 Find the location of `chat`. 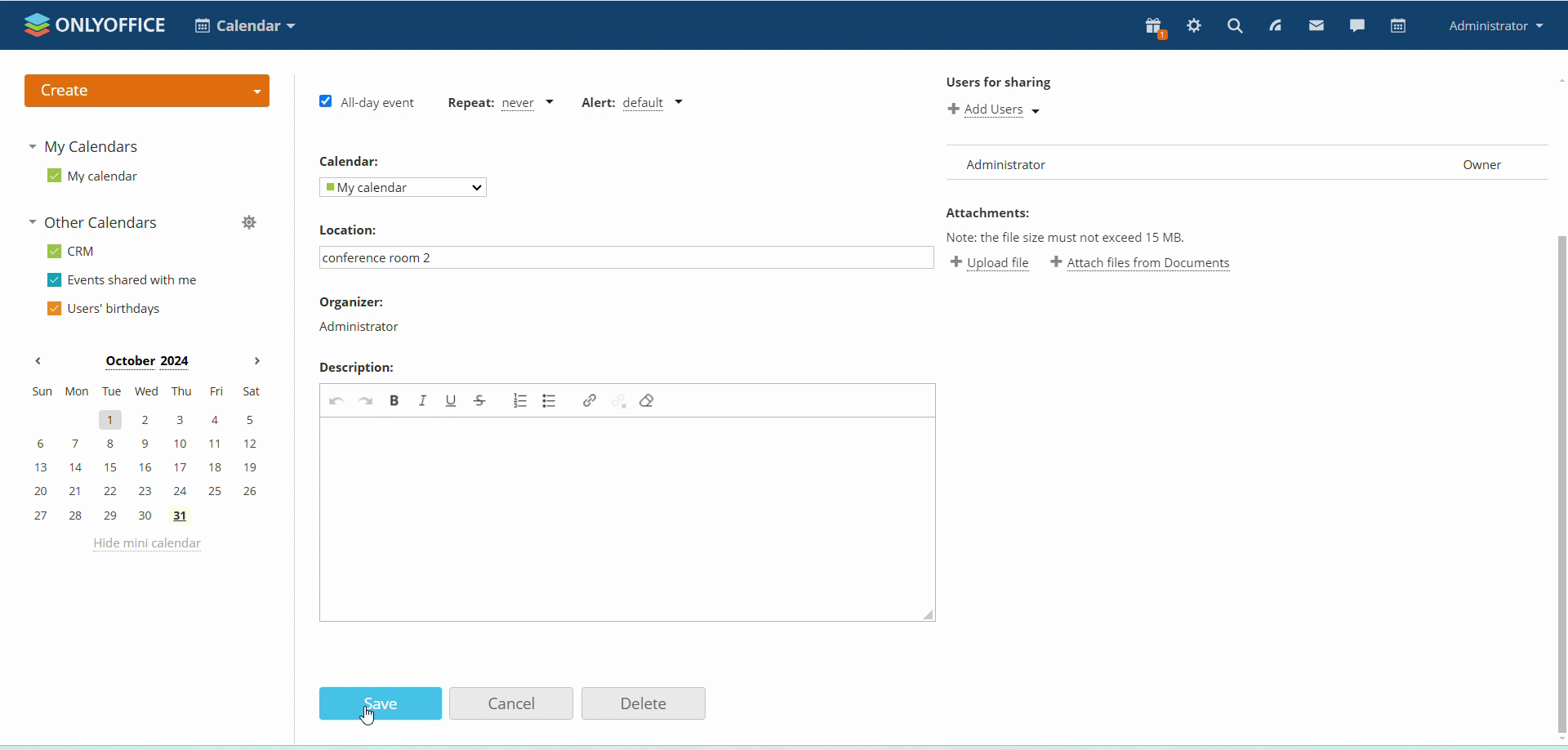

chat is located at coordinates (1356, 25).